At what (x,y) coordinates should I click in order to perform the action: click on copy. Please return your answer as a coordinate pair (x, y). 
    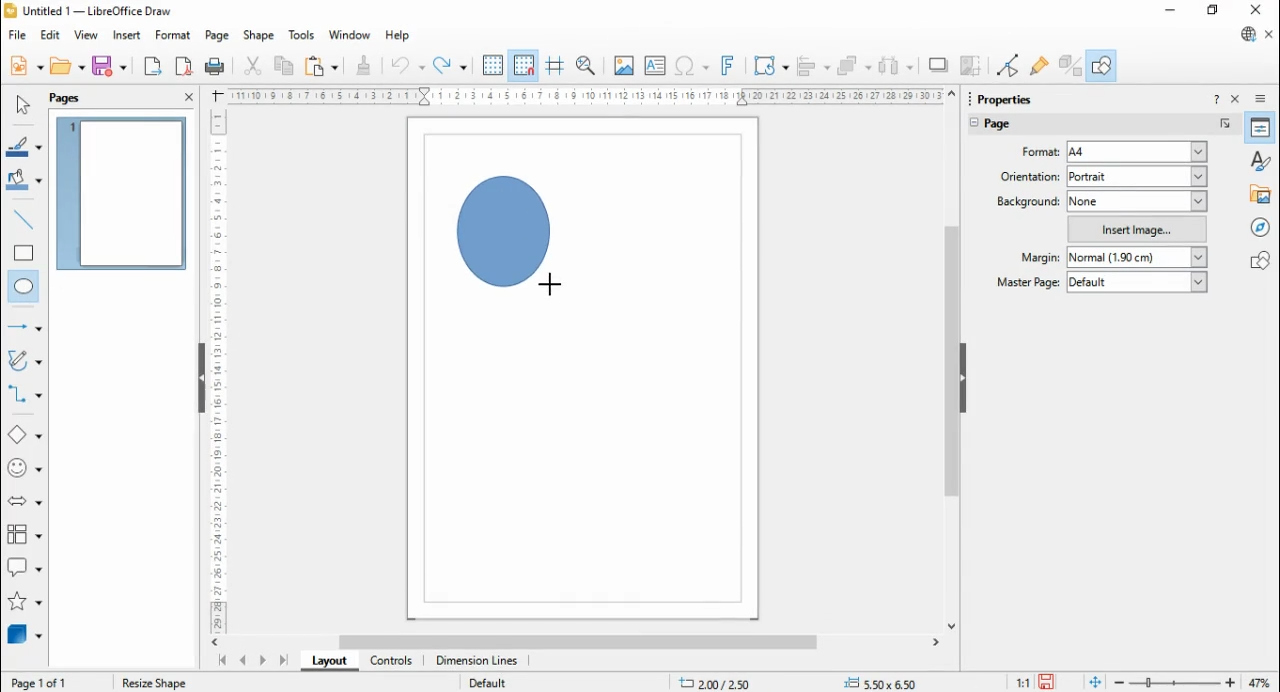
    Looking at the image, I should click on (284, 65).